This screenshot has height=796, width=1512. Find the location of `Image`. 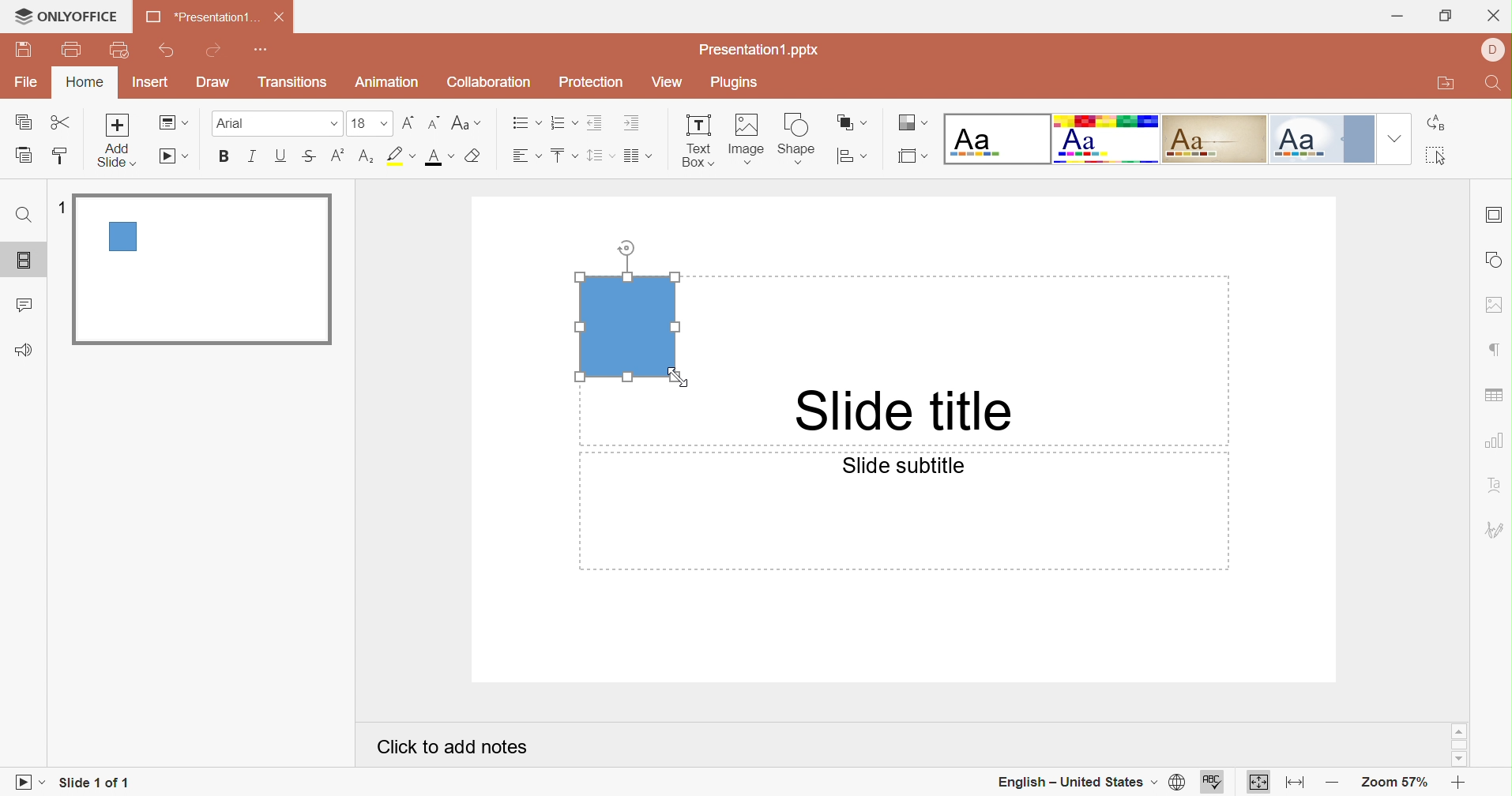

Image is located at coordinates (746, 141).